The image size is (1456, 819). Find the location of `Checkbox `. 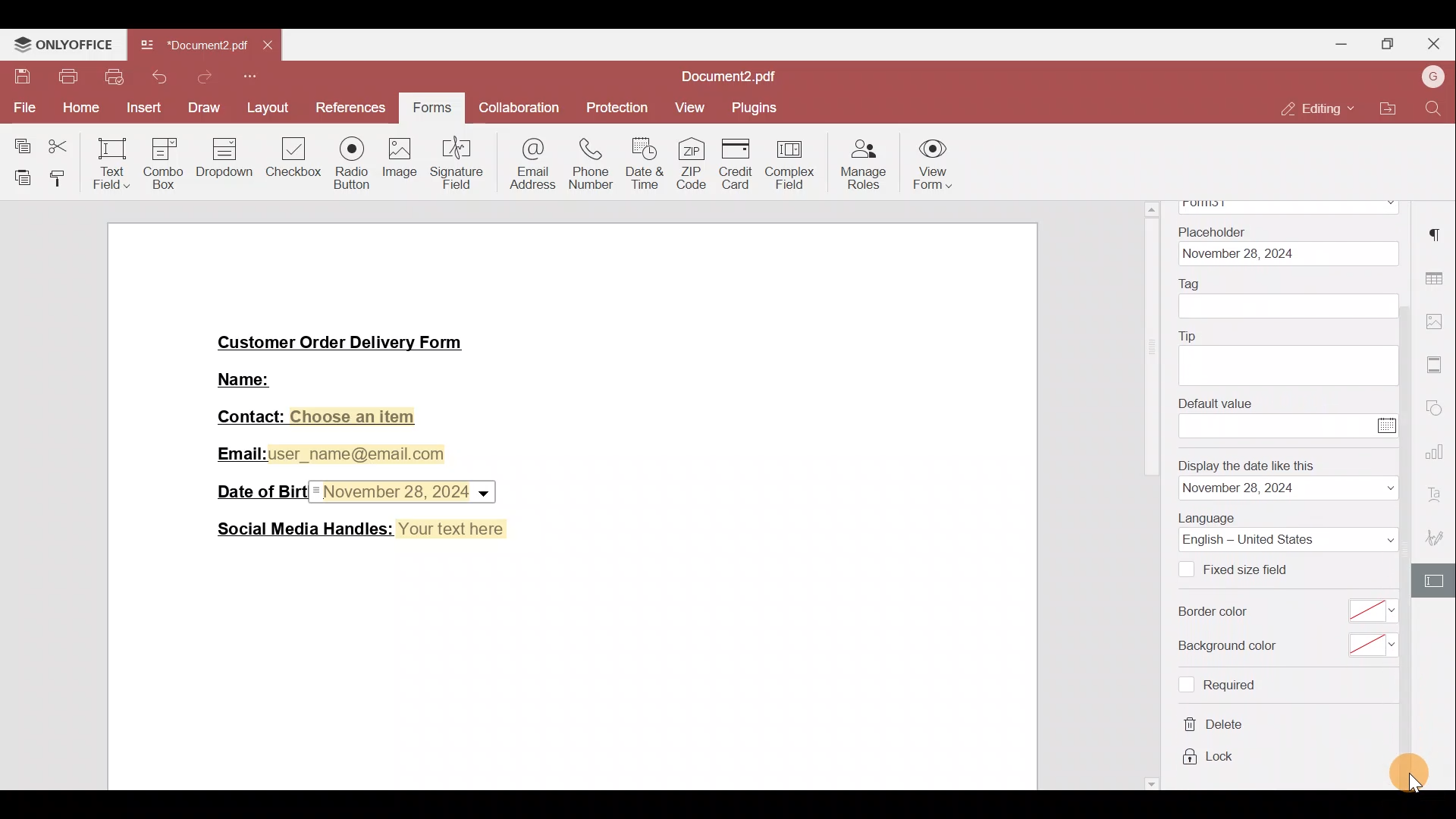

Checkbox  is located at coordinates (1187, 570).